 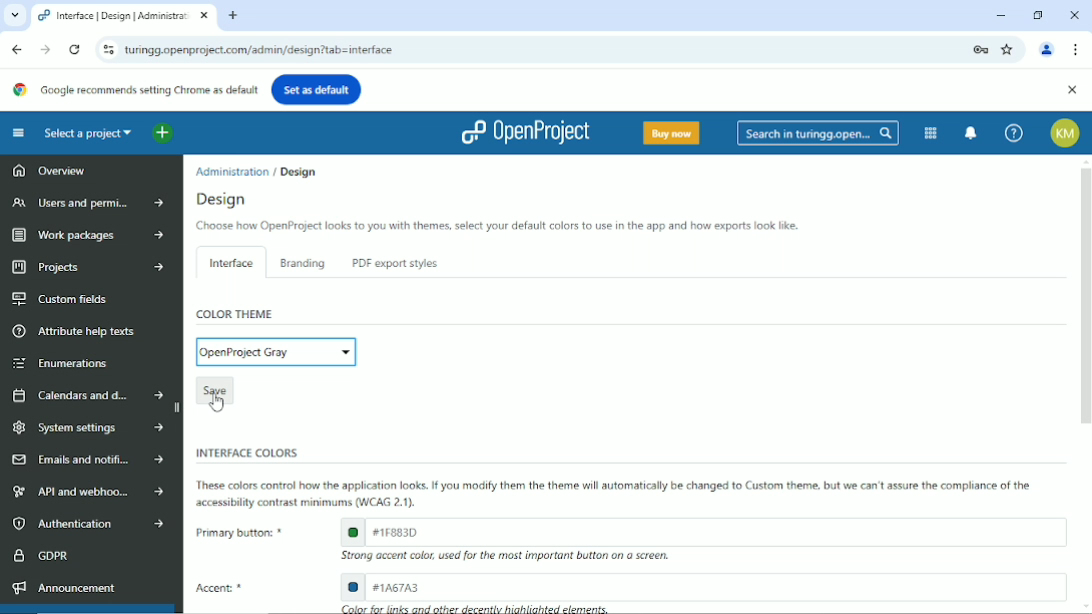 What do you see at coordinates (1001, 15) in the screenshot?
I see `Minimize` at bounding box center [1001, 15].